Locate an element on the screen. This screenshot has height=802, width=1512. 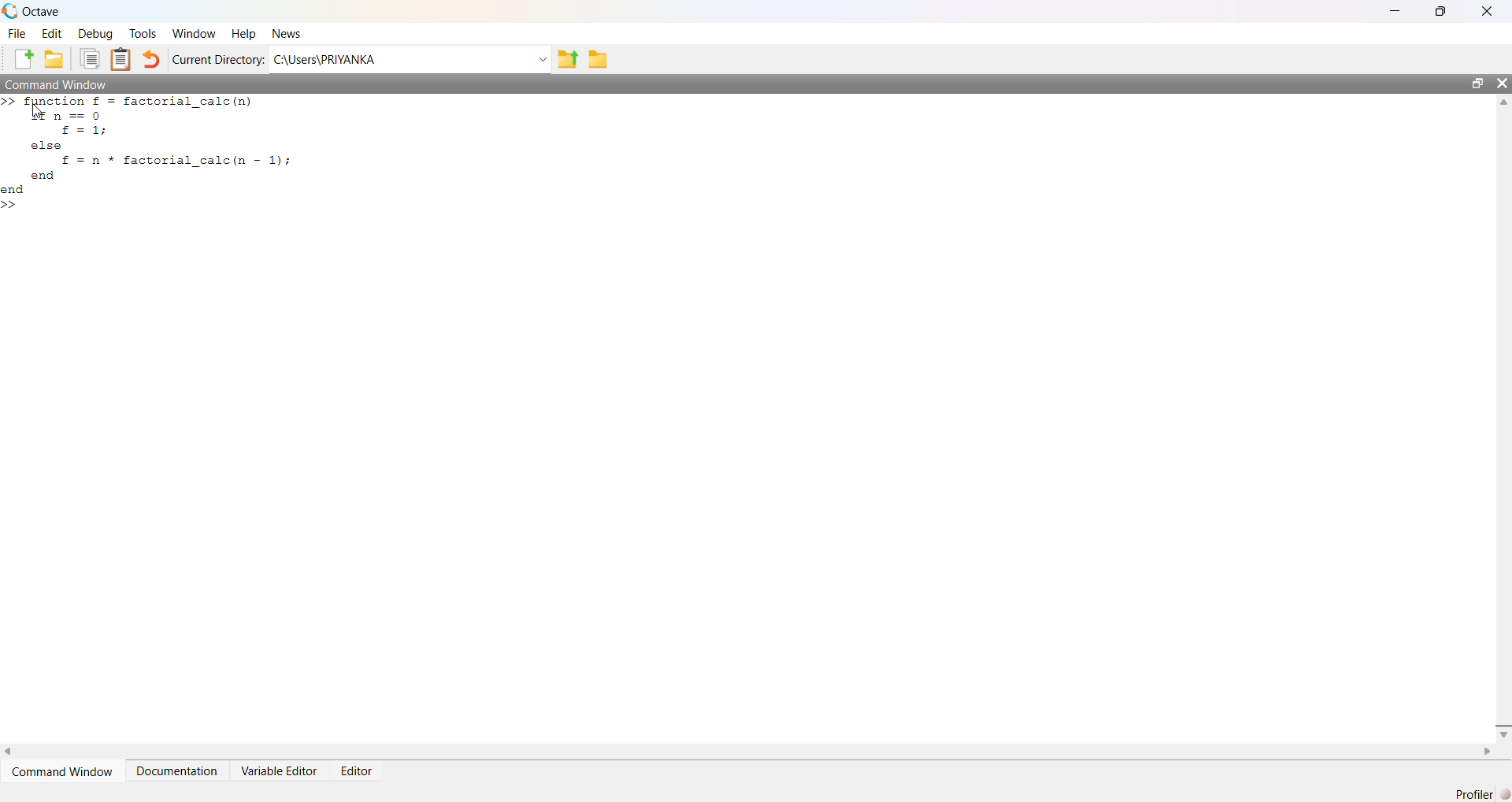
close is located at coordinates (1490, 10).